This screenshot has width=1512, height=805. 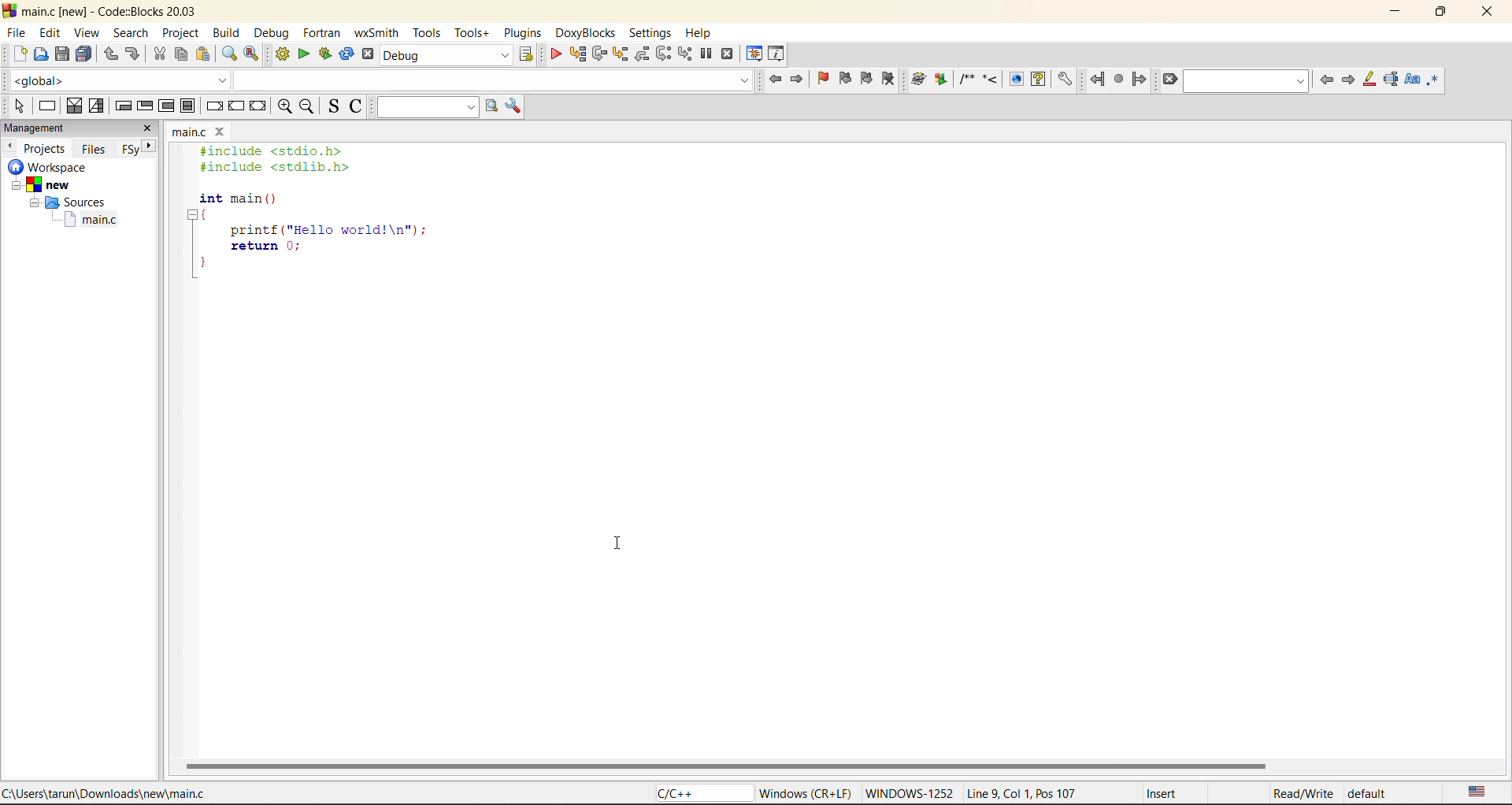 I want to click on management, so click(x=52, y=127).